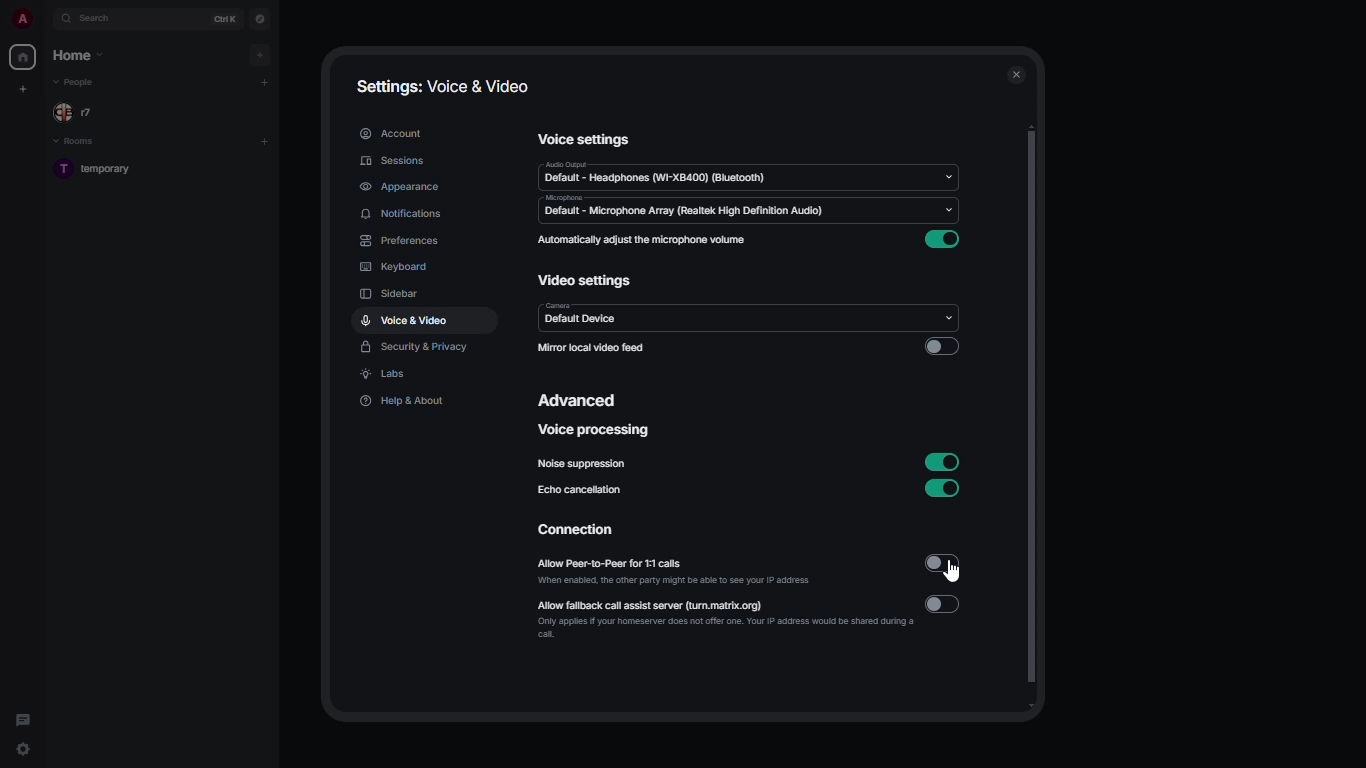  I want to click on home, so click(24, 56).